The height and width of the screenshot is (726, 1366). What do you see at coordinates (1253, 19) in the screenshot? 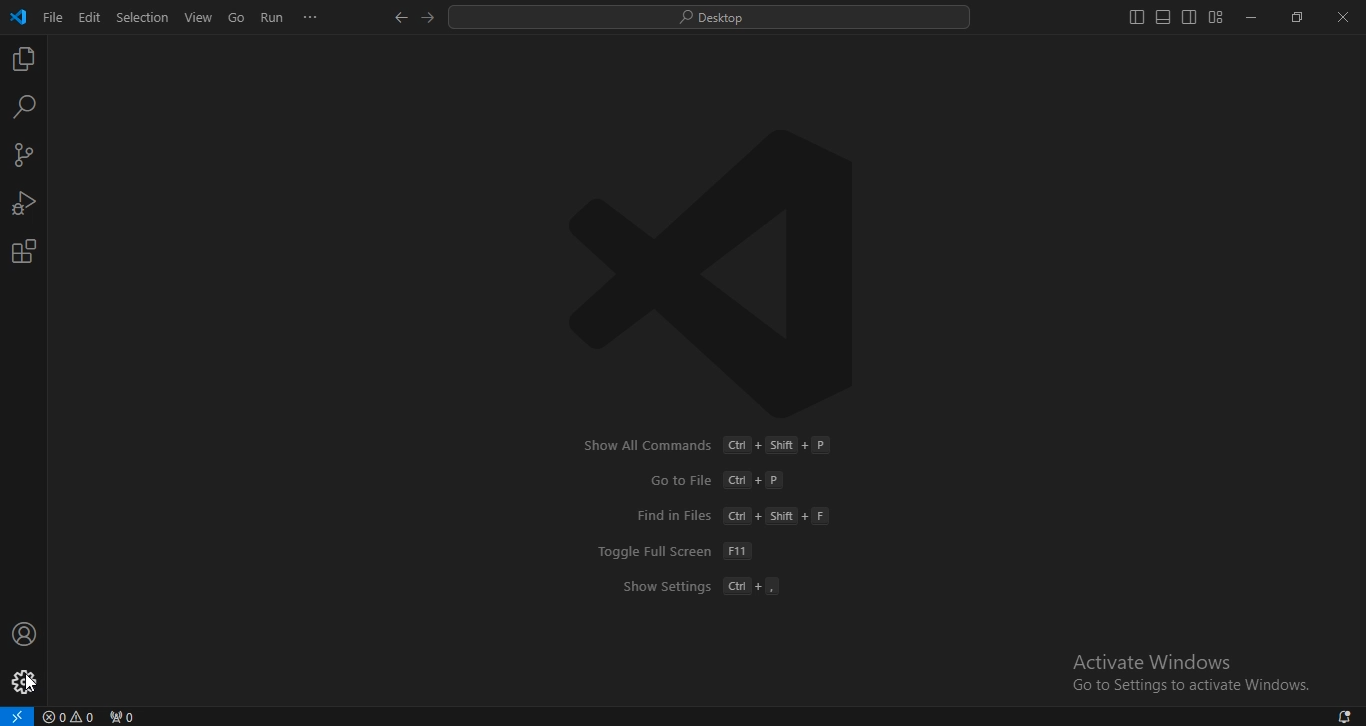
I see `minimize` at bounding box center [1253, 19].